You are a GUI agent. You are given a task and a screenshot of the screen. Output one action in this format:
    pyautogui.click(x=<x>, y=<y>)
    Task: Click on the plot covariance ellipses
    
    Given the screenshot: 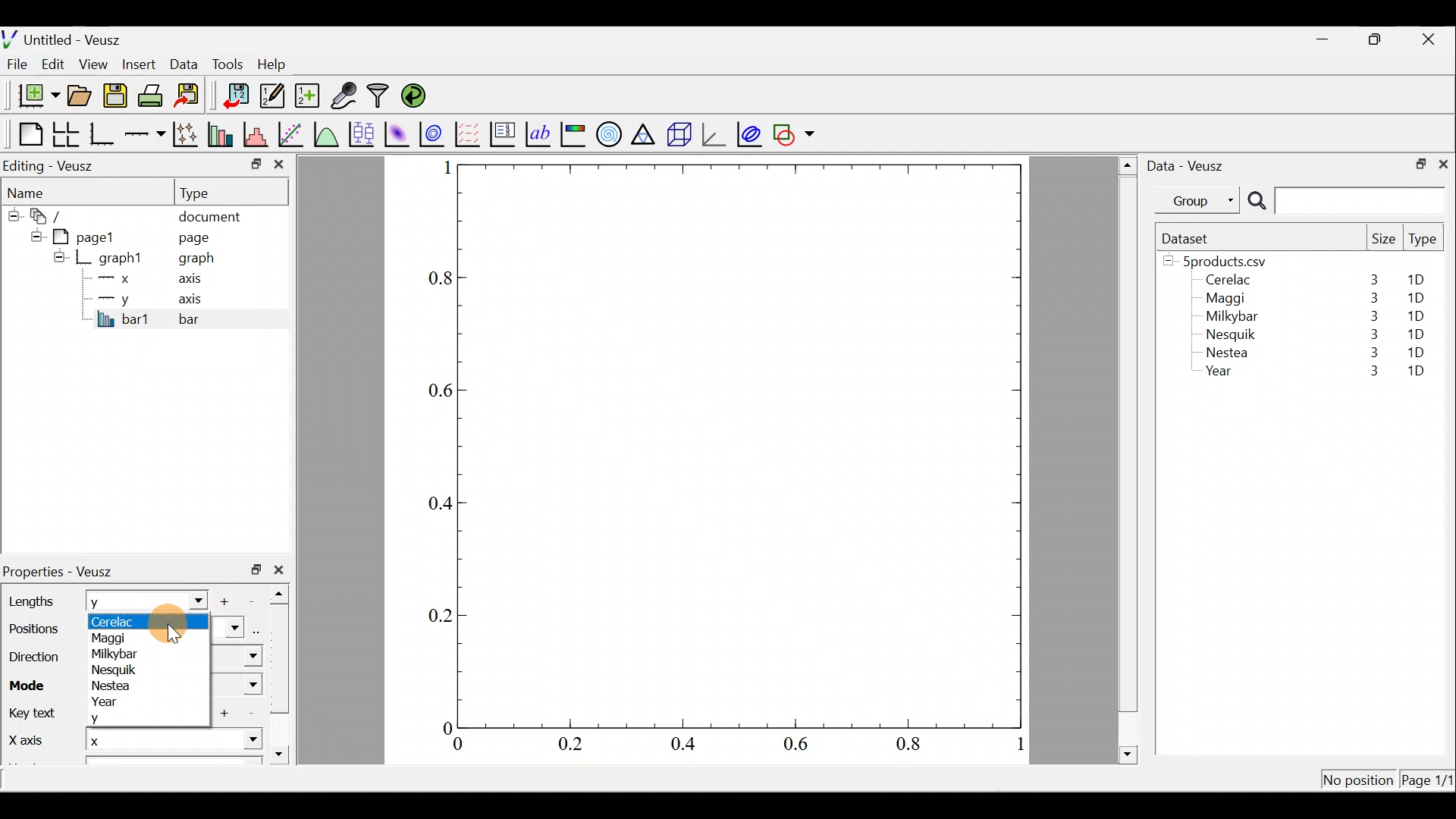 What is the action you would take?
    pyautogui.click(x=751, y=133)
    